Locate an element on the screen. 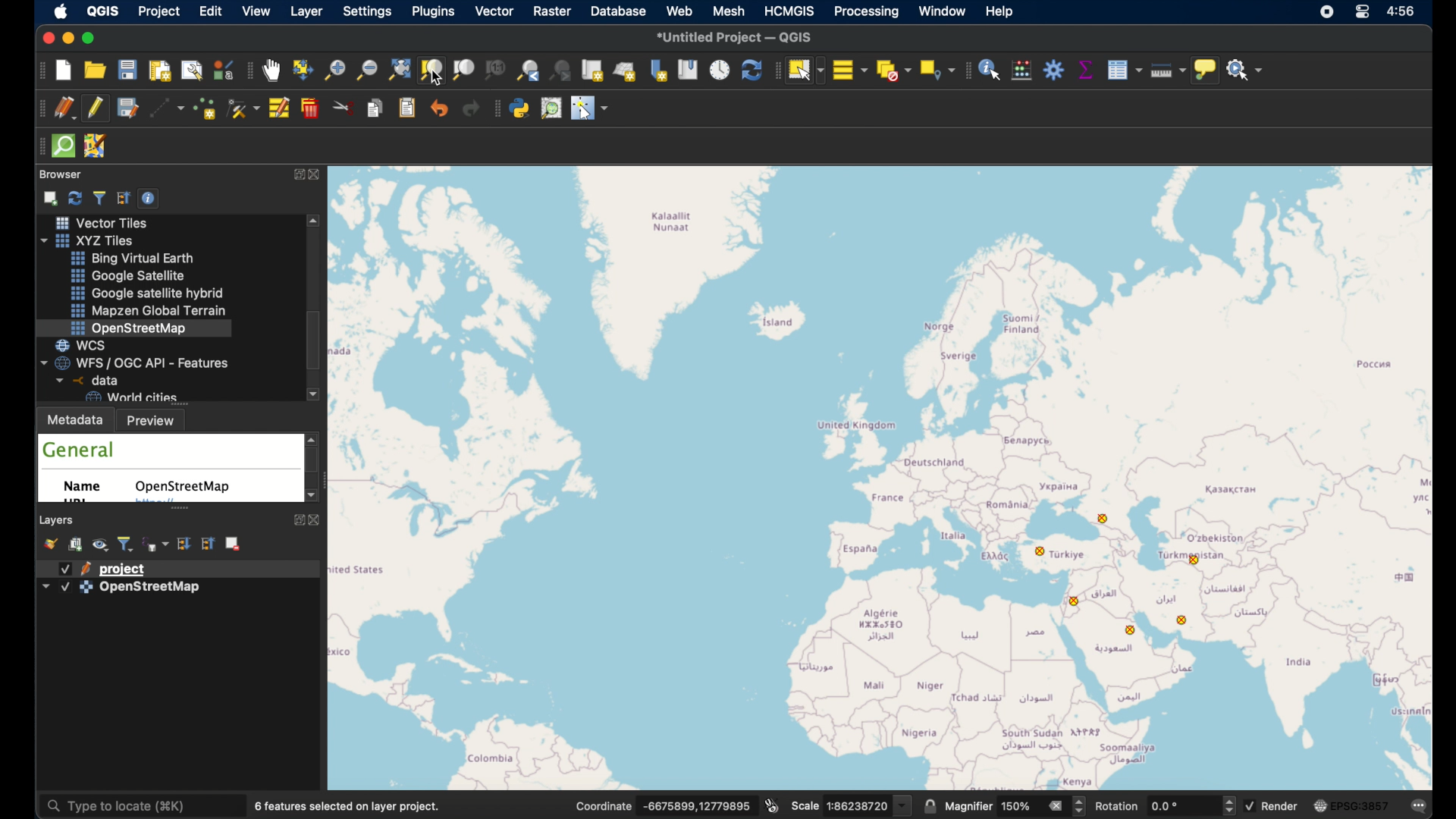 This screenshot has height=819, width=1456.  is located at coordinates (158, 11).